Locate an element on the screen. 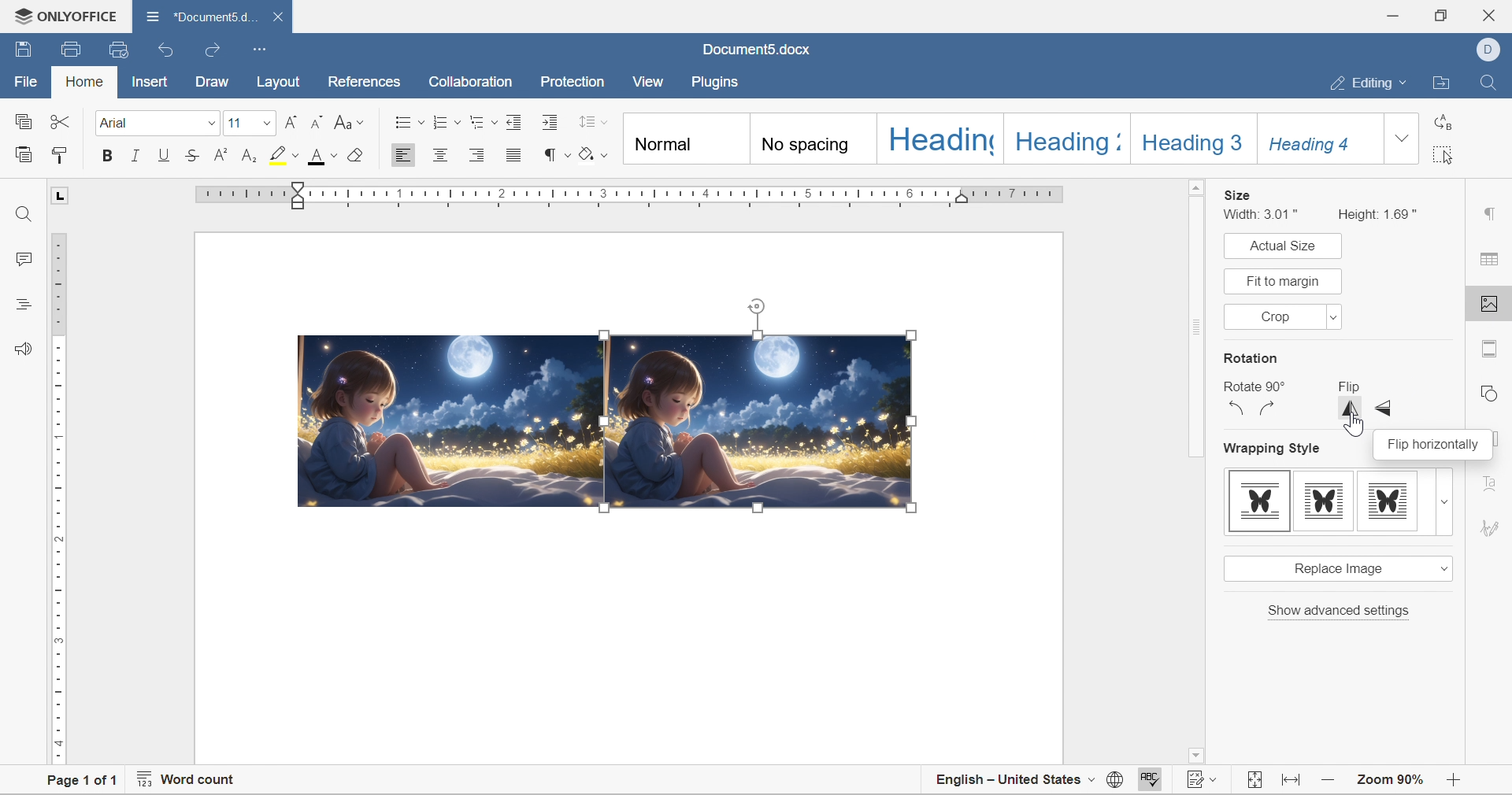  square is located at coordinates (1323, 501).